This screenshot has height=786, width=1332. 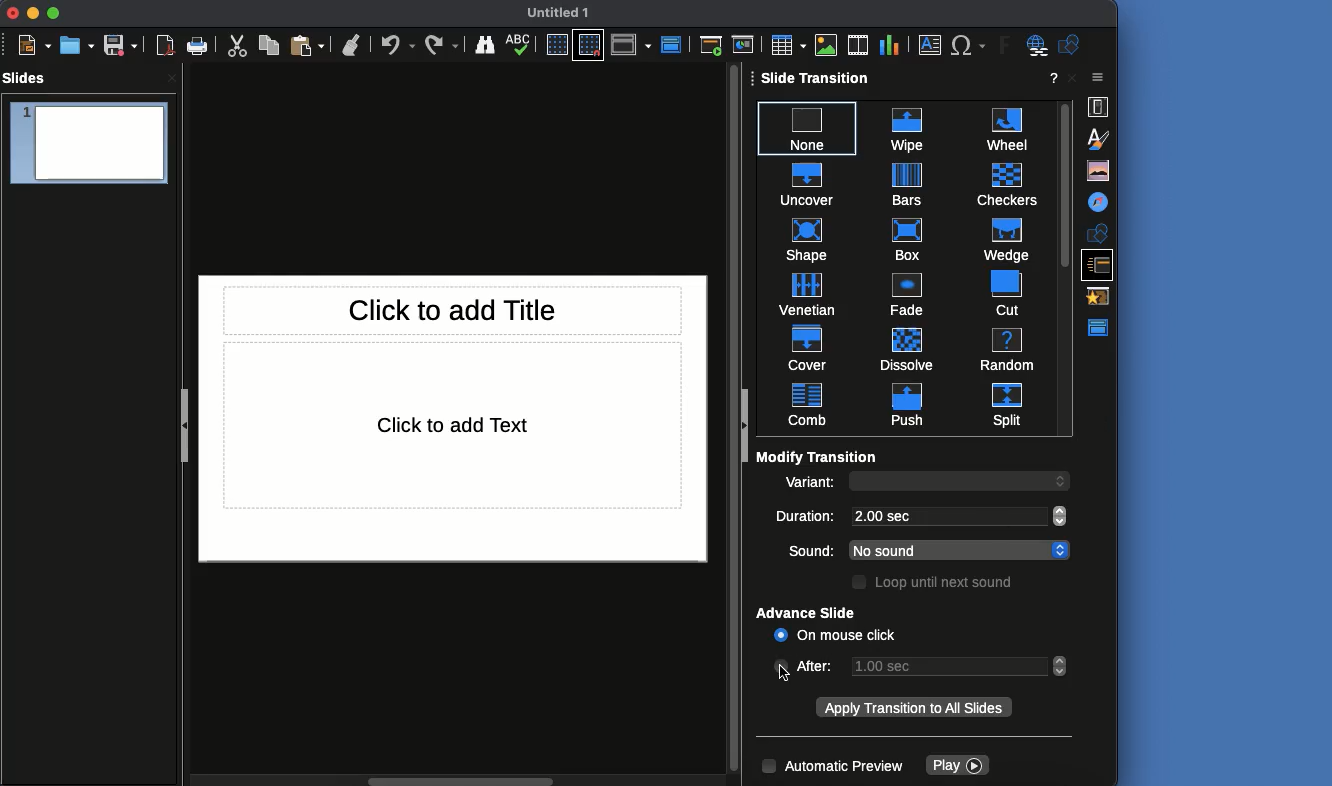 What do you see at coordinates (1097, 232) in the screenshot?
I see `Shapes` at bounding box center [1097, 232].